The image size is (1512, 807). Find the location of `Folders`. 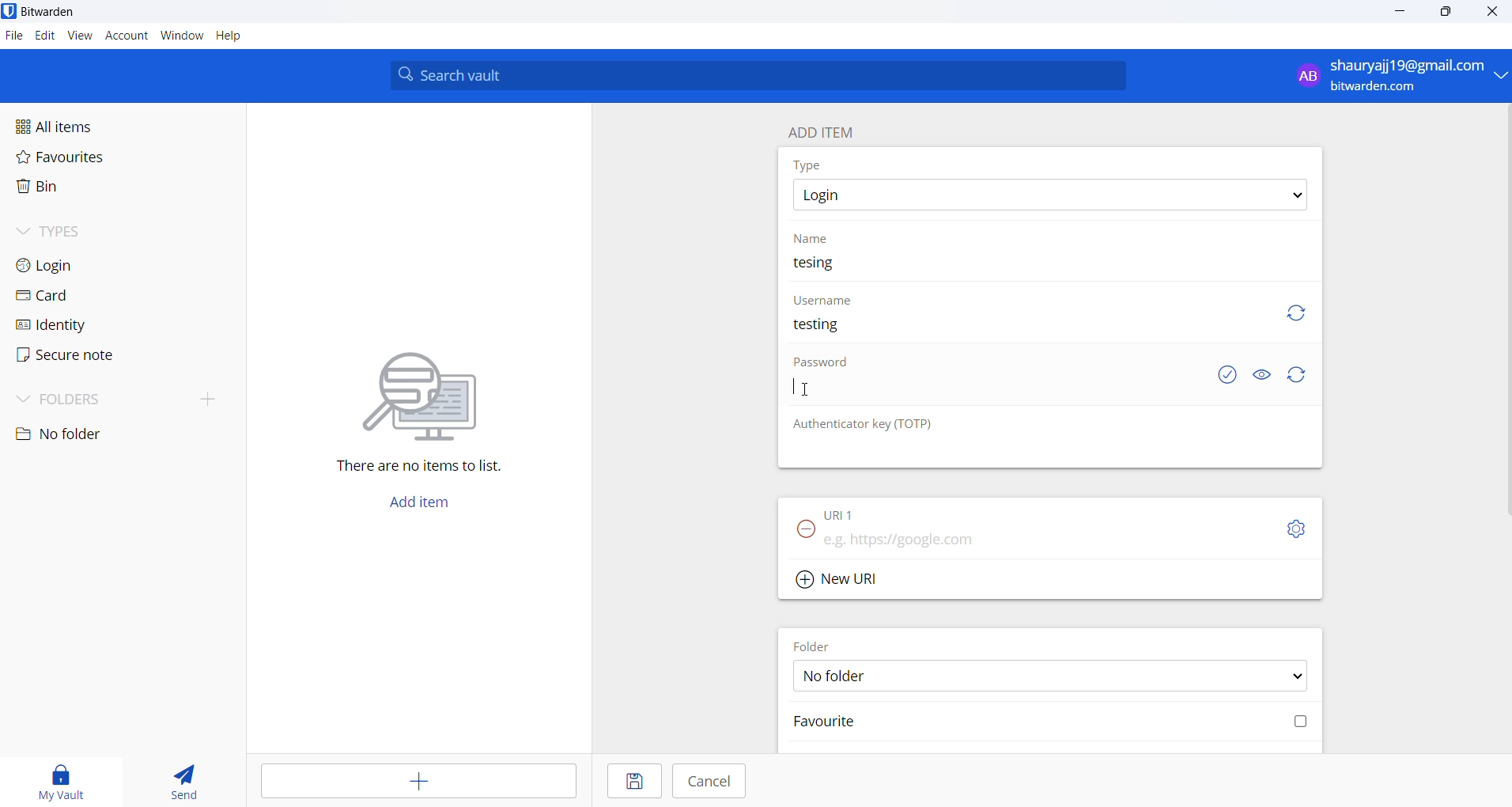

Folders is located at coordinates (81, 396).